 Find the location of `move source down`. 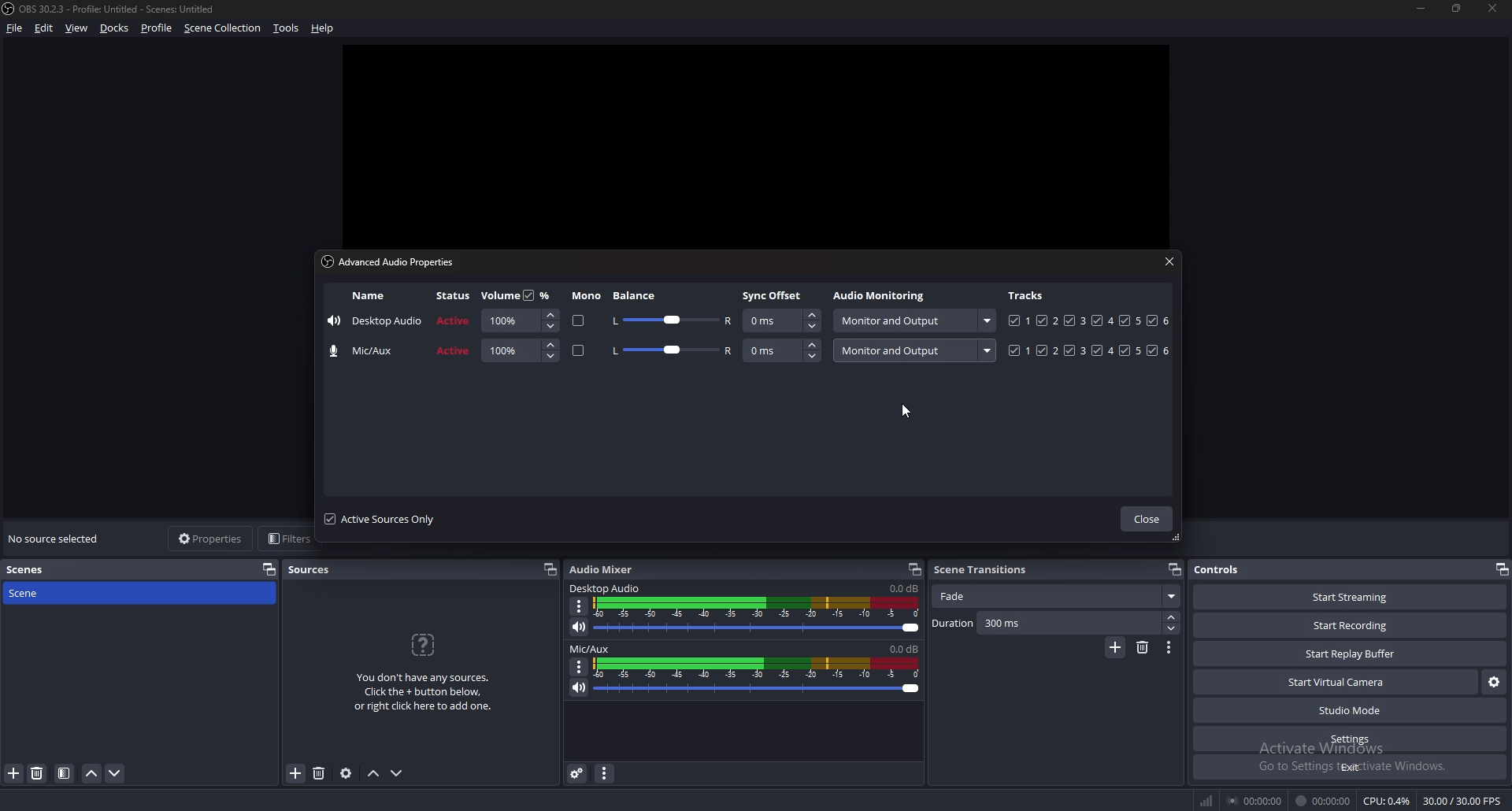

move source down is located at coordinates (397, 772).